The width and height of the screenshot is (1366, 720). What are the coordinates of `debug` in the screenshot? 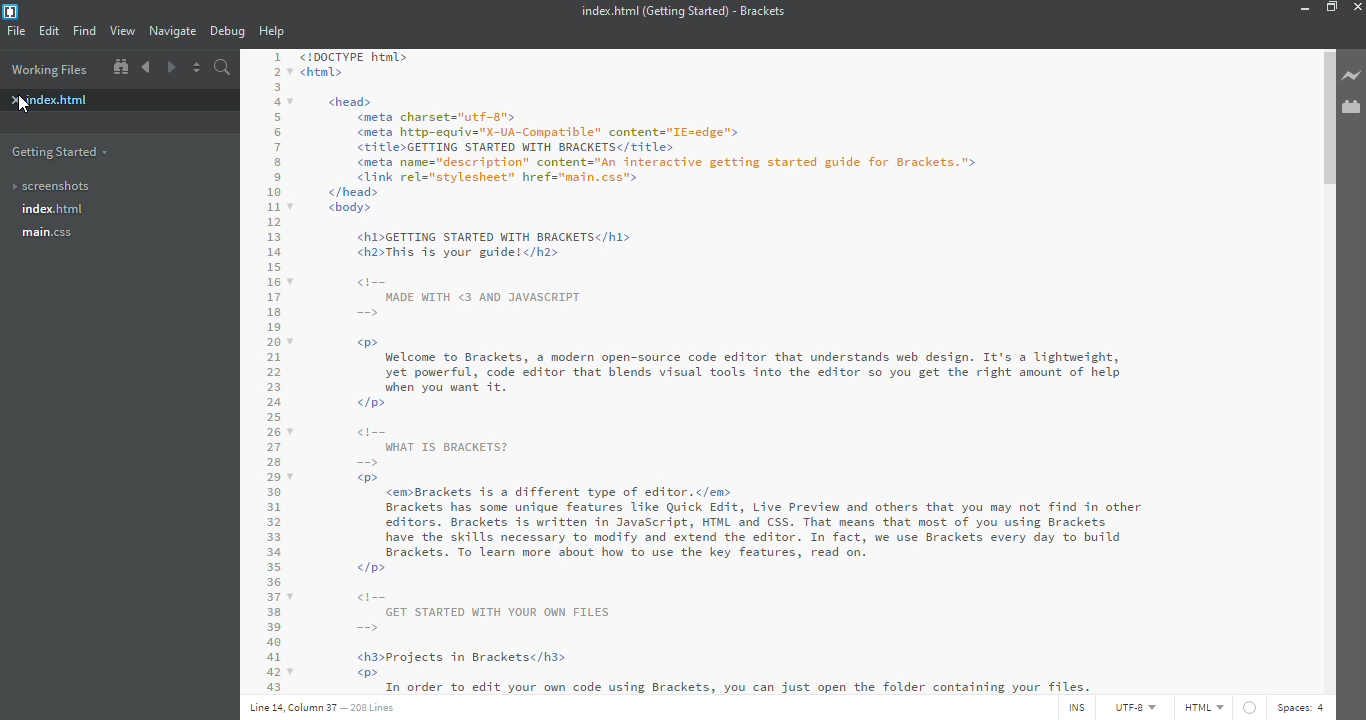 It's located at (227, 32).